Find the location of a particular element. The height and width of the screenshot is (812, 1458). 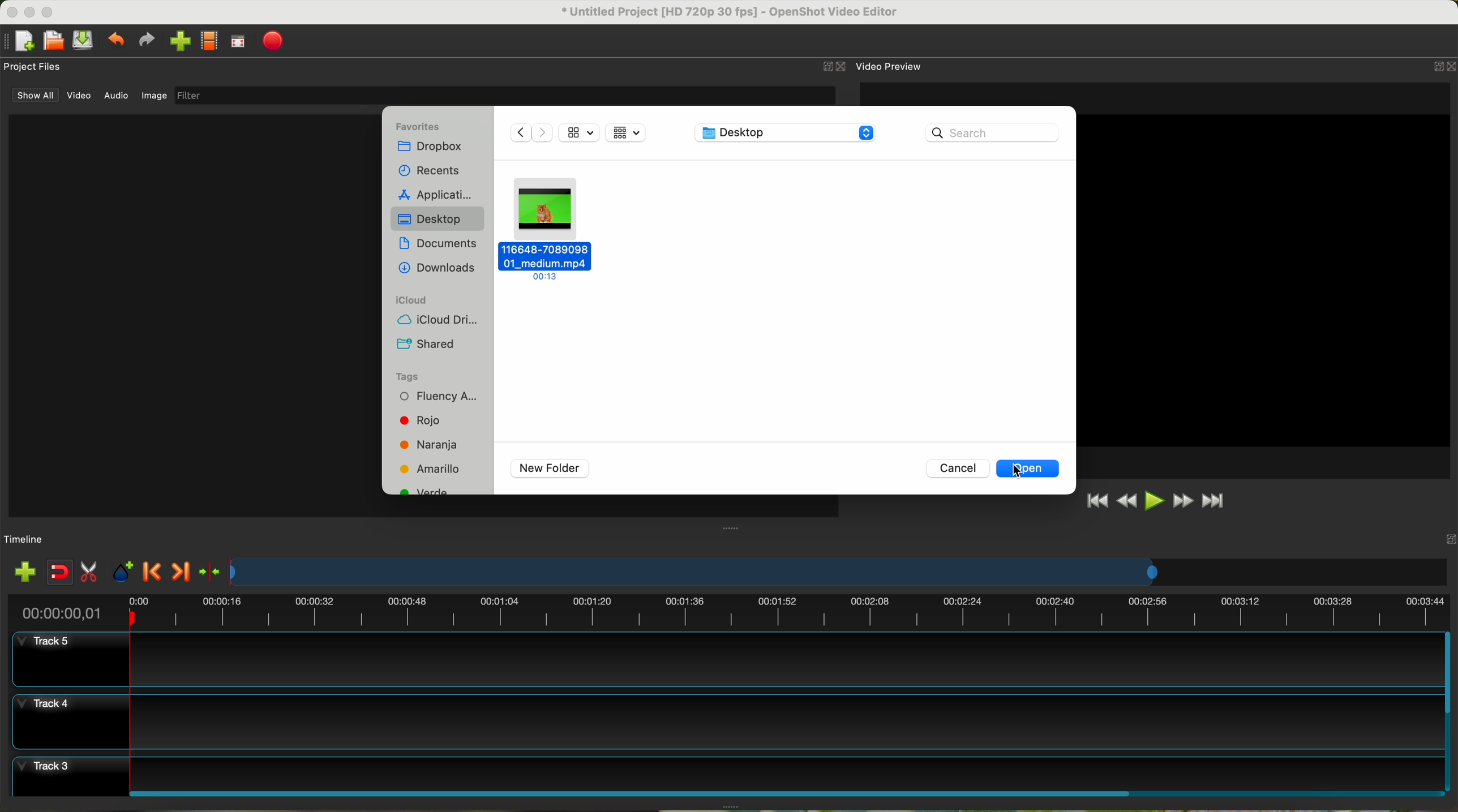

click on import file is located at coordinates (177, 37).